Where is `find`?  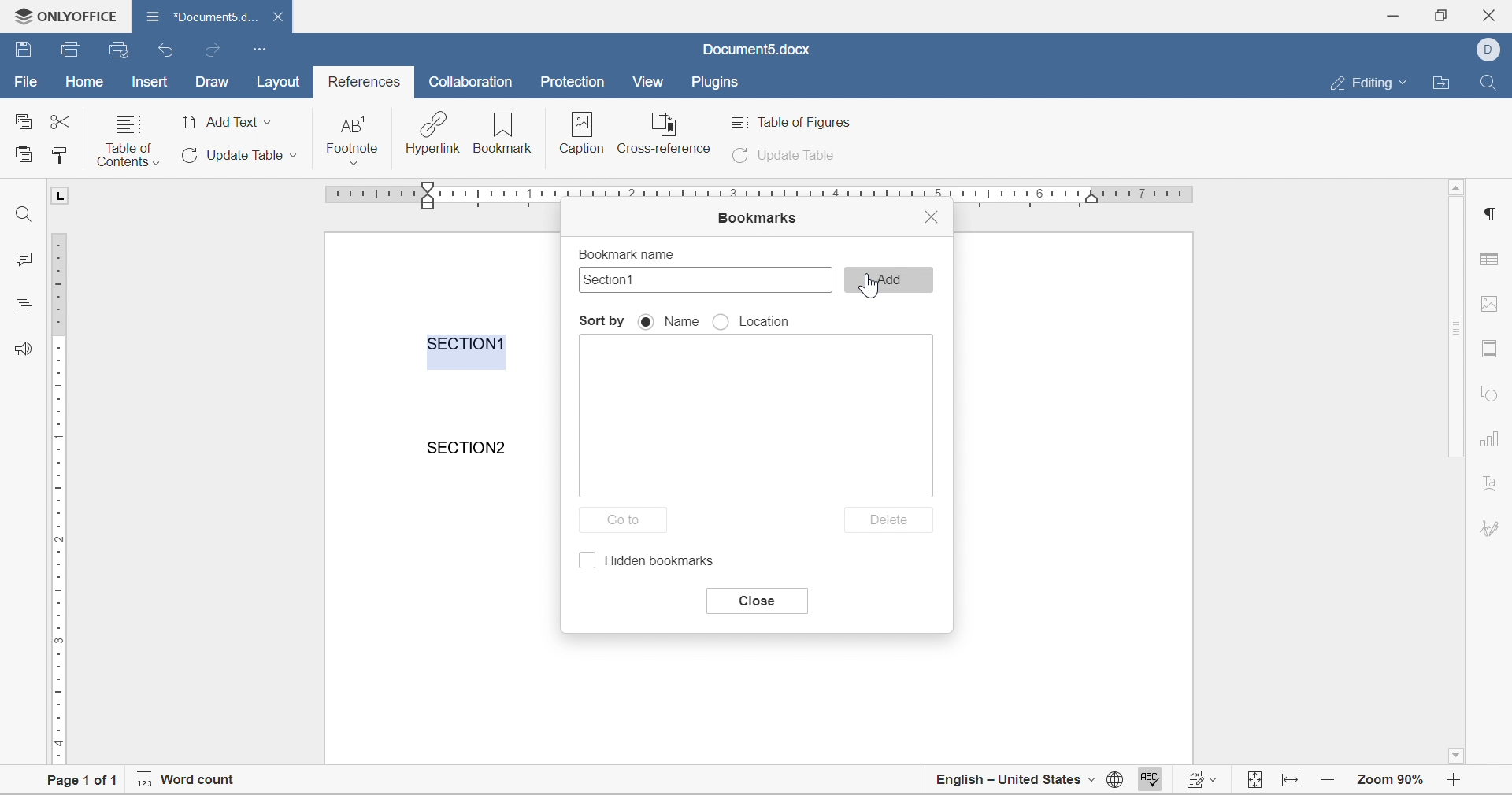
find is located at coordinates (24, 214).